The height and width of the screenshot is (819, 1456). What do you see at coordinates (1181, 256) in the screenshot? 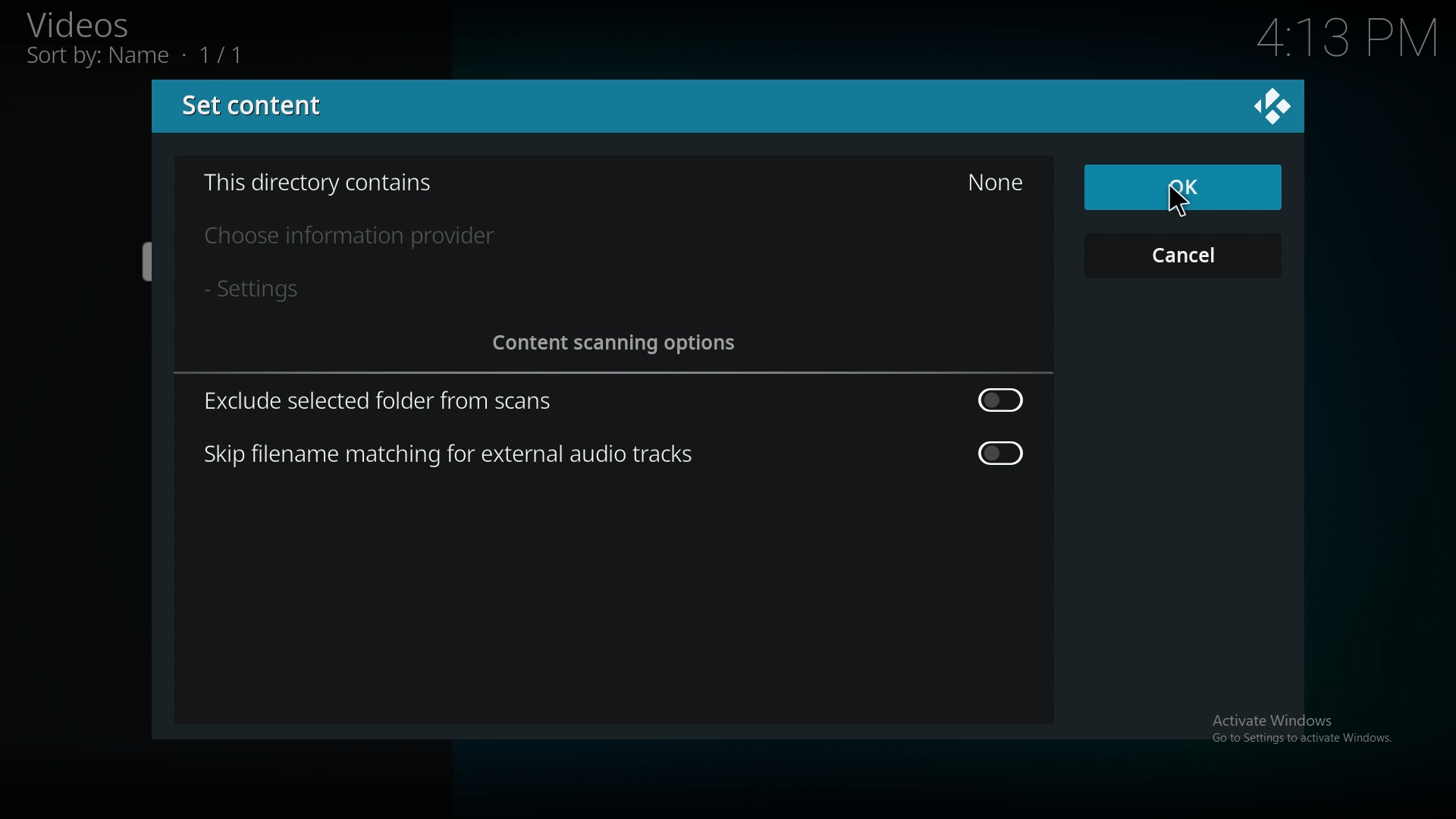
I see `cancel` at bounding box center [1181, 256].